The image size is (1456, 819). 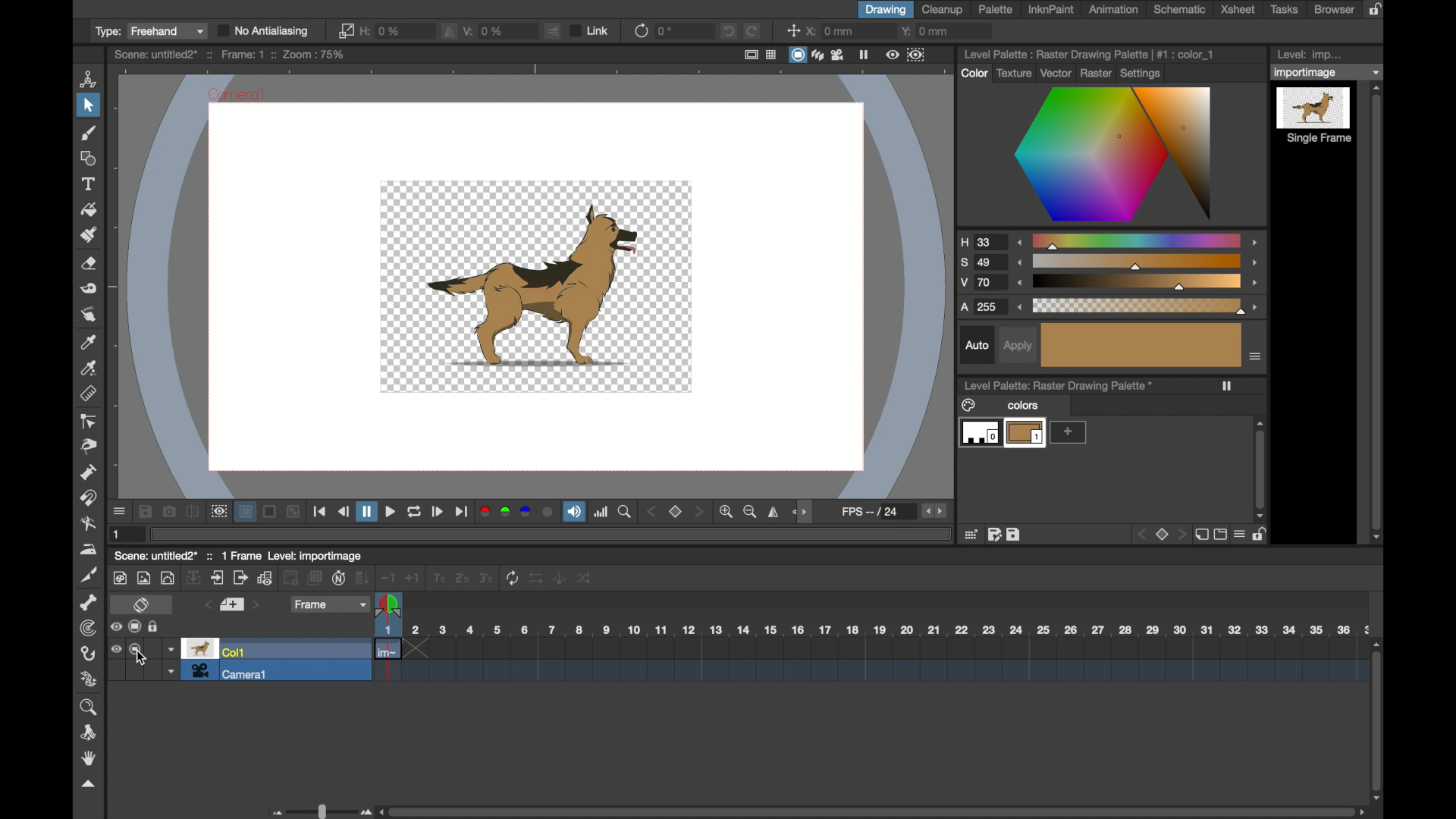 What do you see at coordinates (141, 658) in the screenshot?
I see `cursor` at bounding box center [141, 658].